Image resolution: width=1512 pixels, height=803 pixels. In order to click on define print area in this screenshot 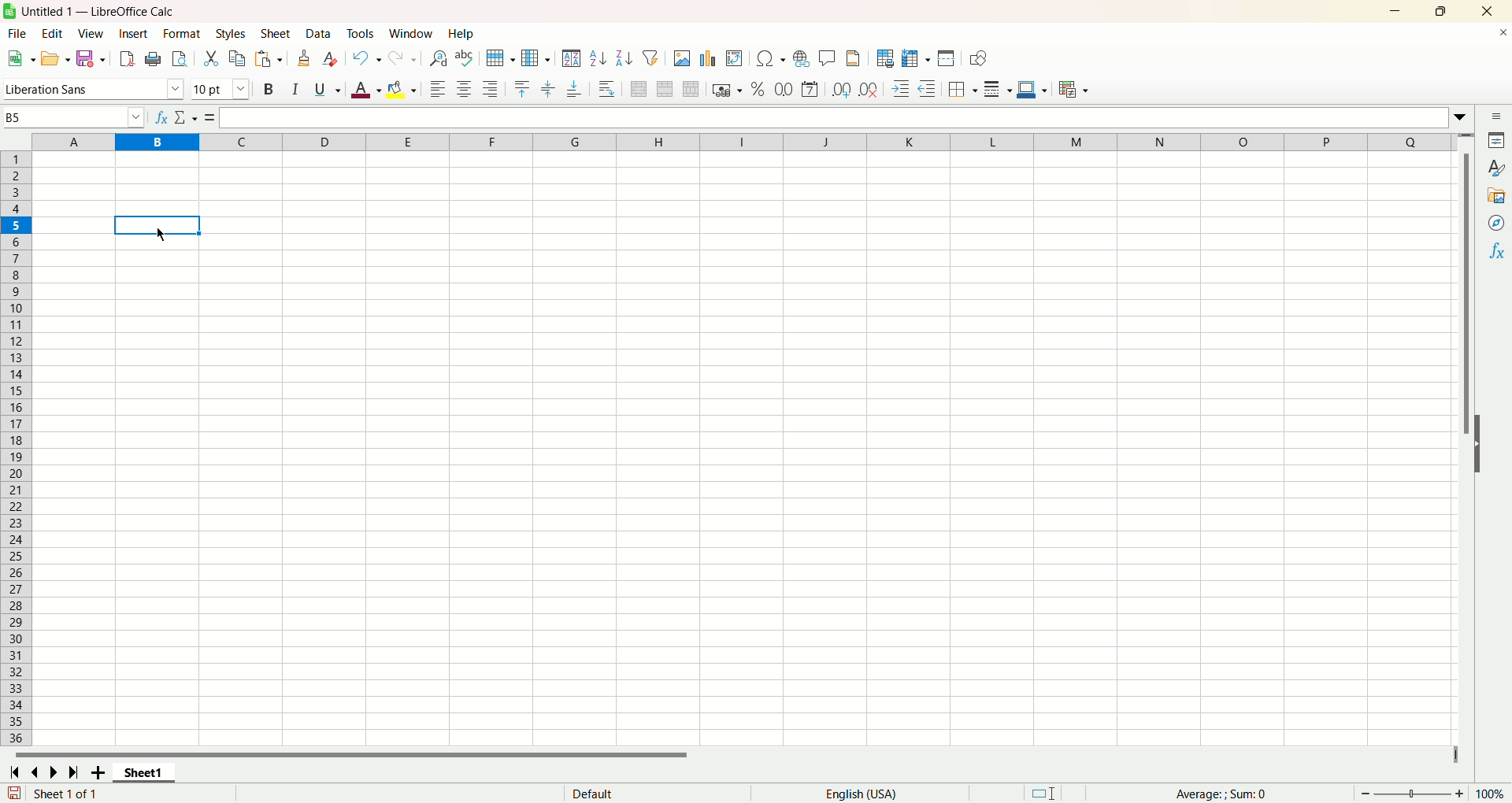, I will do `click(884, 58)`.